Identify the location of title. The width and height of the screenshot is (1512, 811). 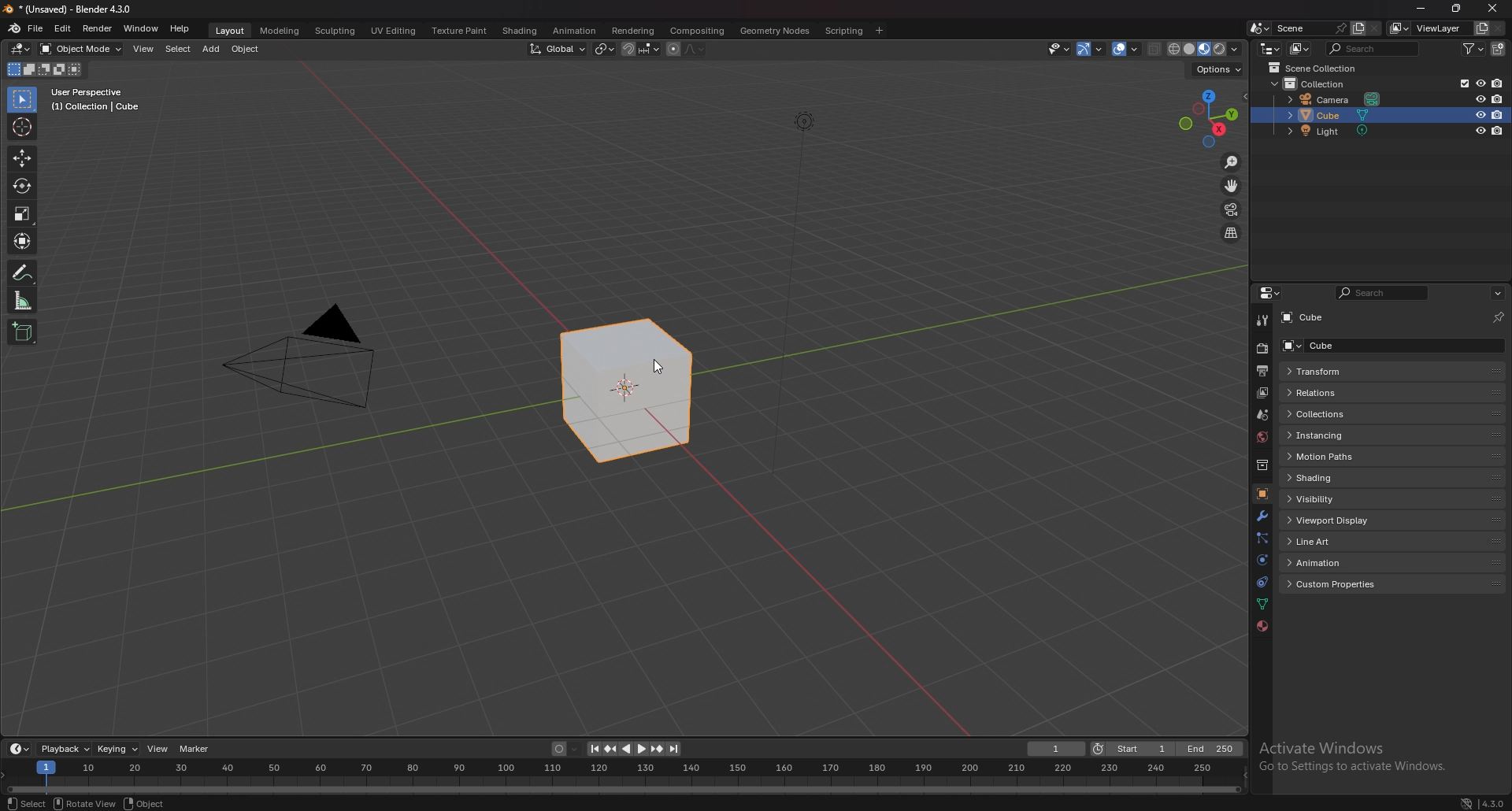
(71, 9).